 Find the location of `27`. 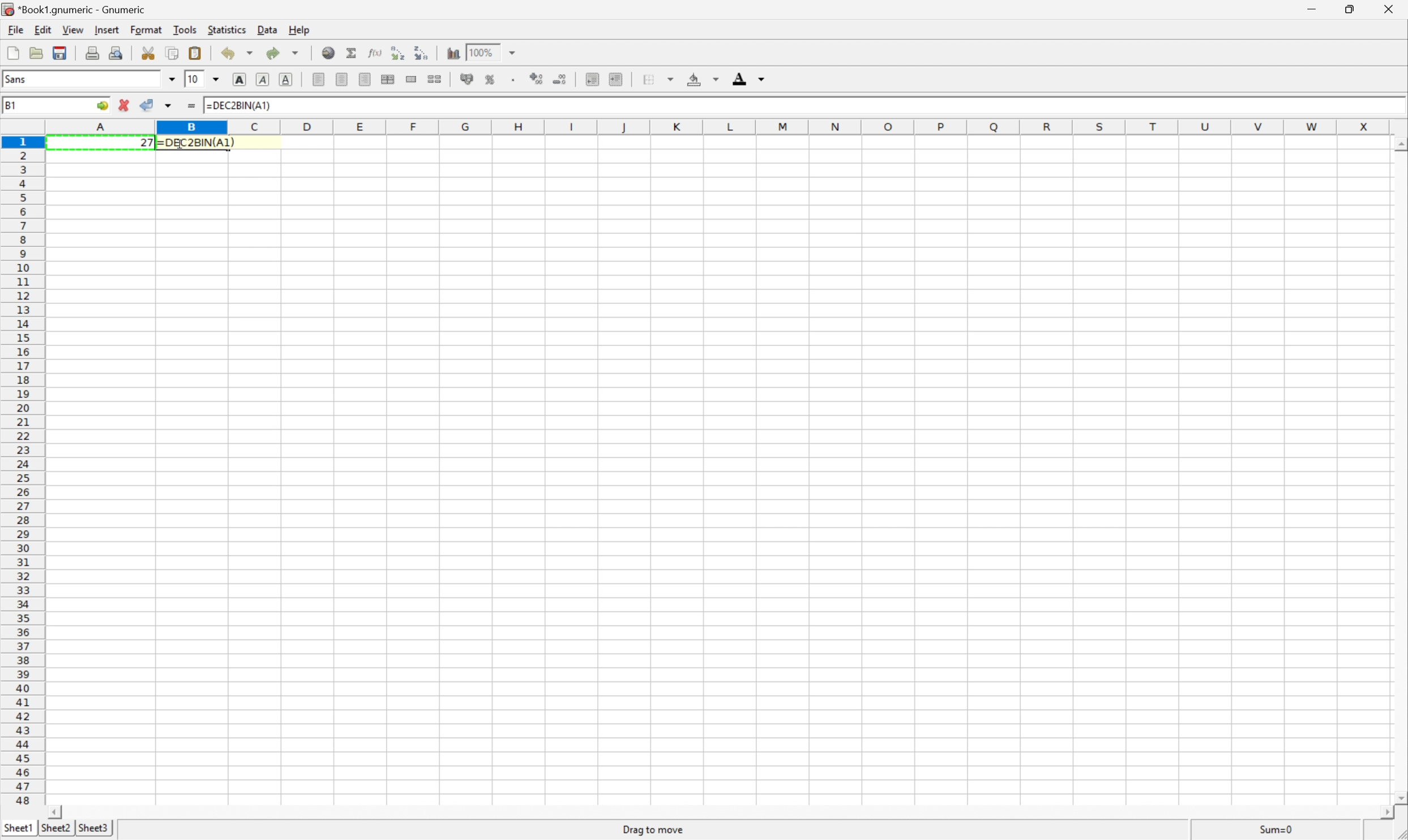

27 is located at coordinates (147, 143).